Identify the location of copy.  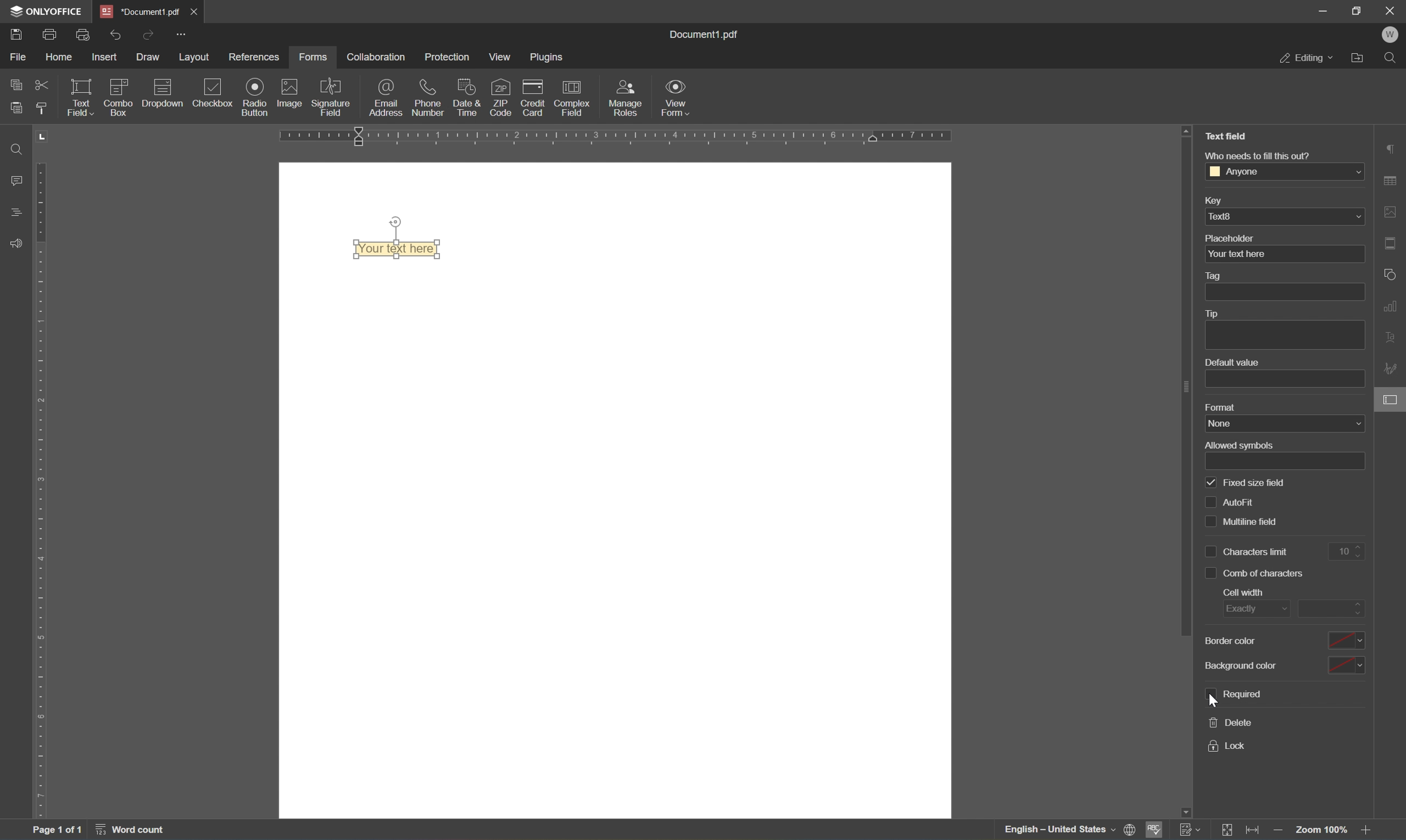
(14, 85).